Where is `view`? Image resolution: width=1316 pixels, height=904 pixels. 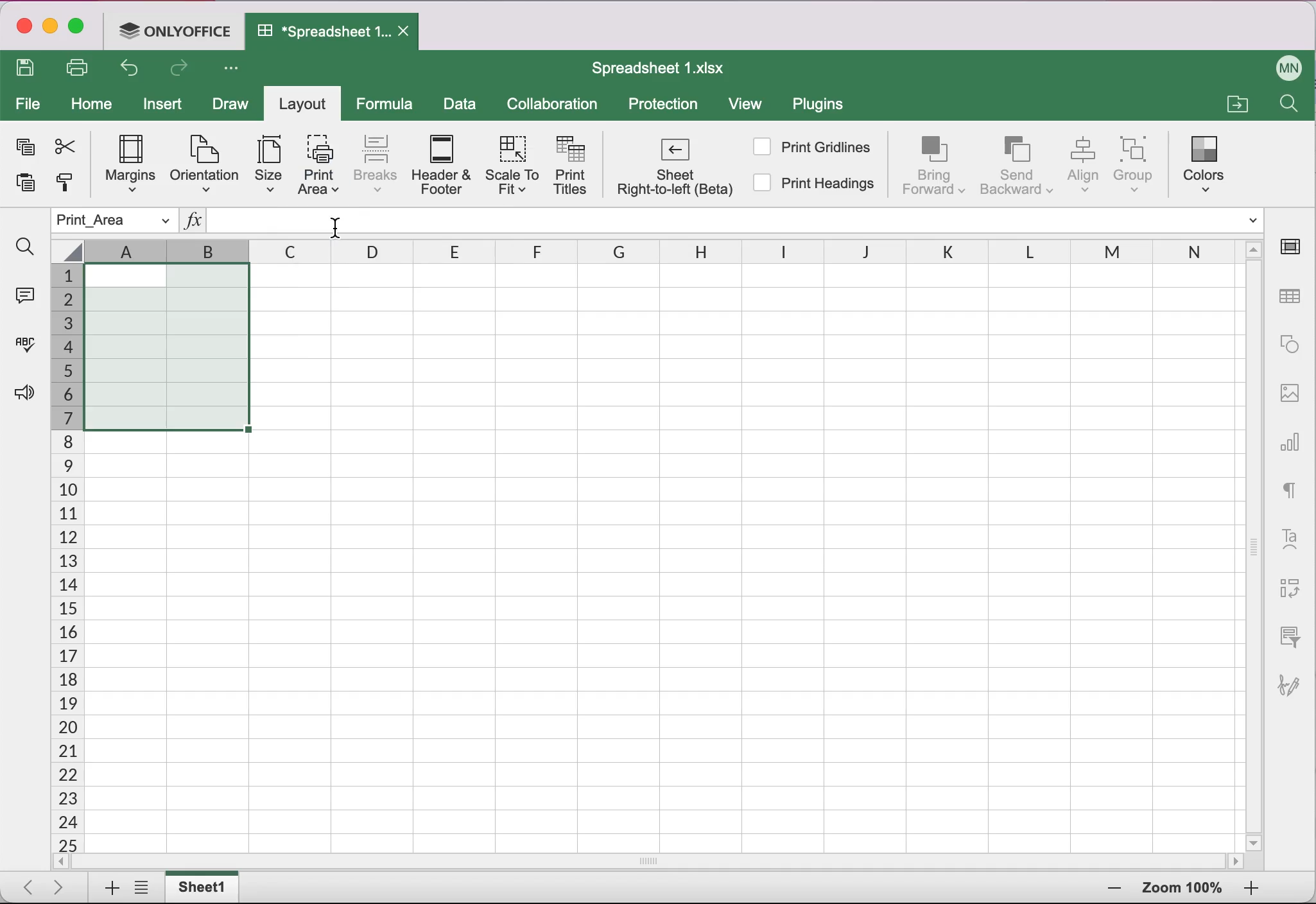 view is located at coordinates (751, 107).